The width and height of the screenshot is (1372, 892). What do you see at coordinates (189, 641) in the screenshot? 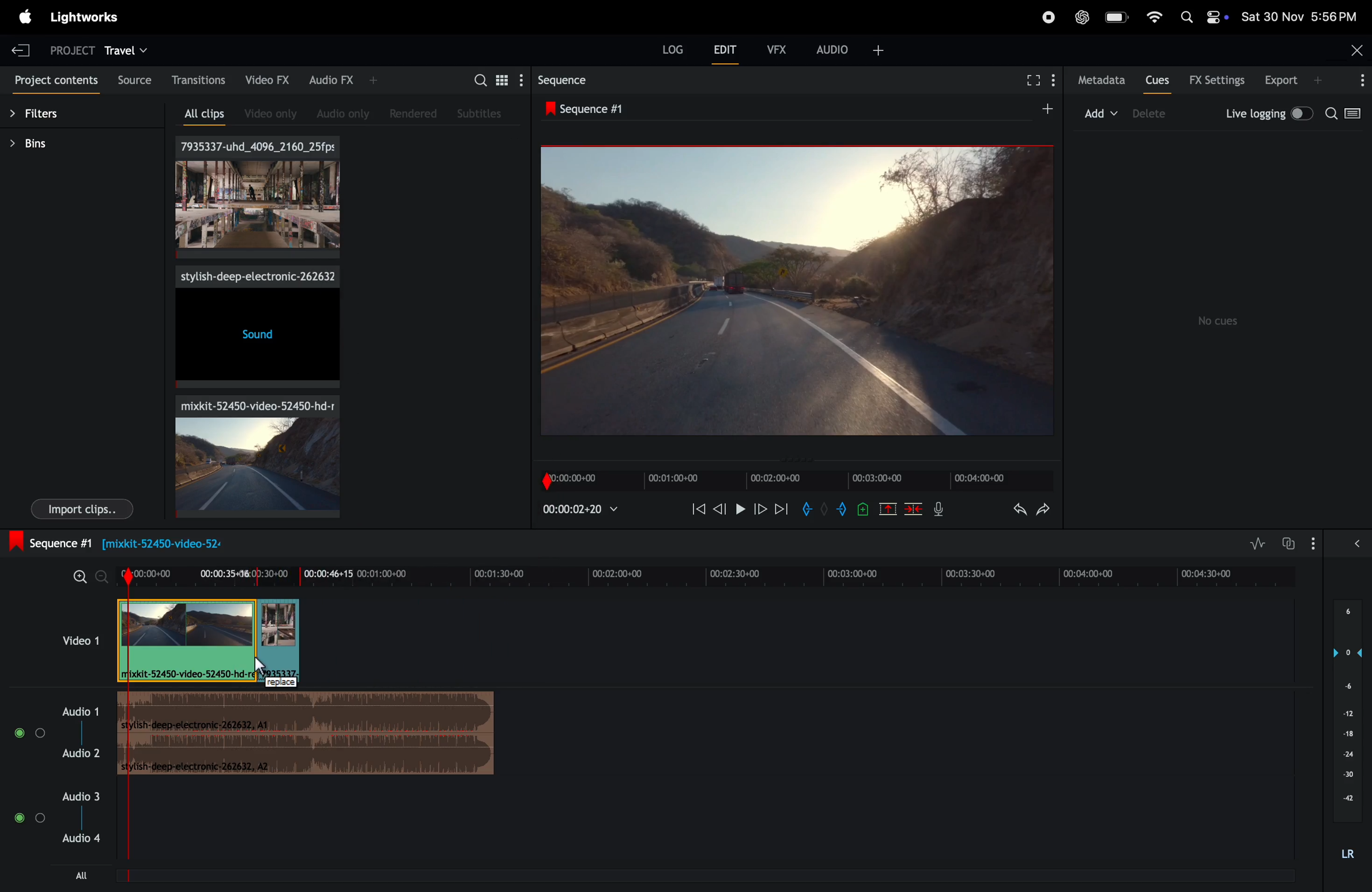
I see `video clip` at bounding box center [189, 641].